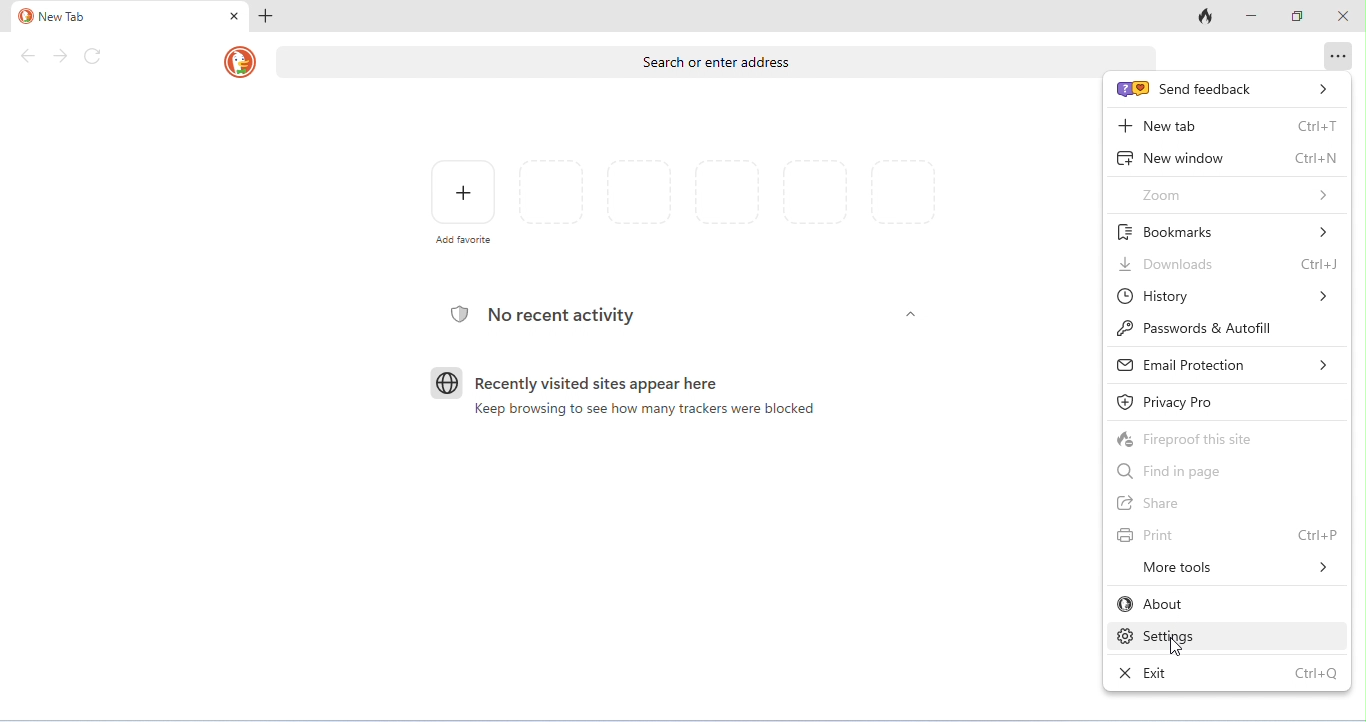  Describe the element at coordinates (1177, 645) in the screenshot. I see `cursor movement` at that location.